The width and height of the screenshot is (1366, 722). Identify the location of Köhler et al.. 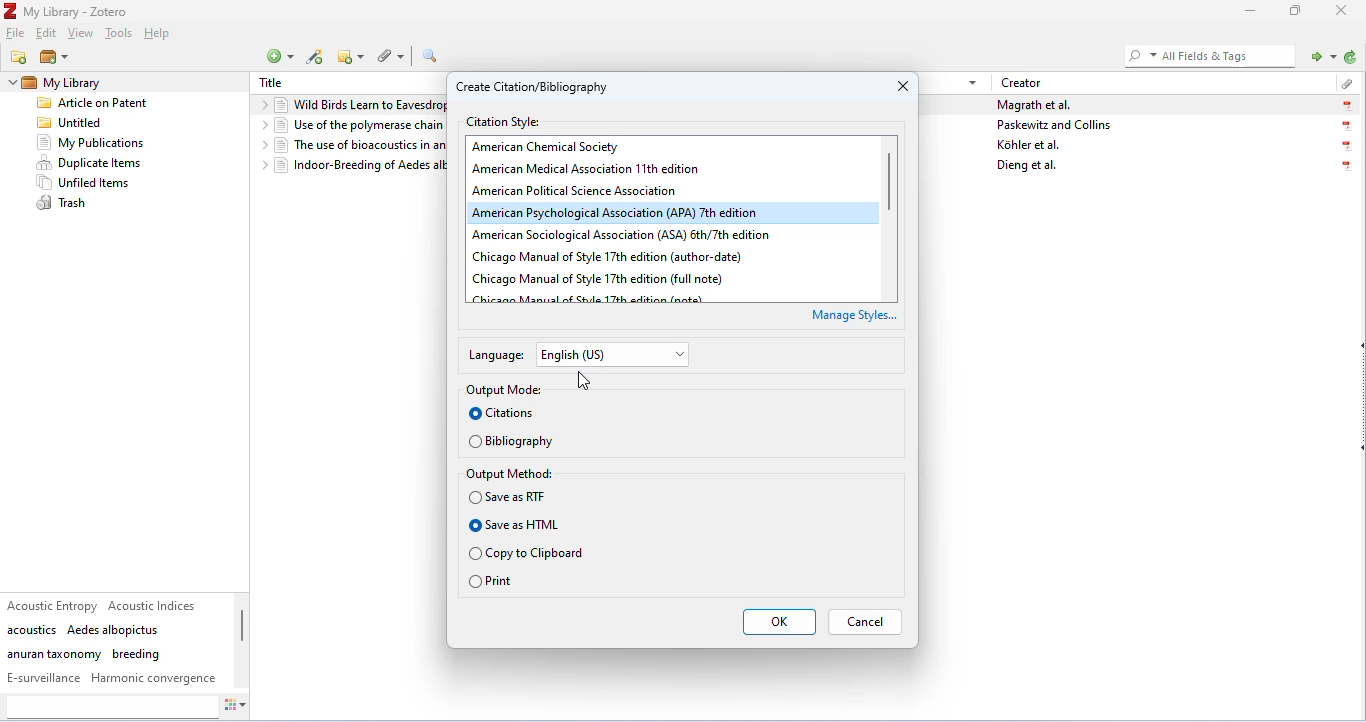
(1030, 145).